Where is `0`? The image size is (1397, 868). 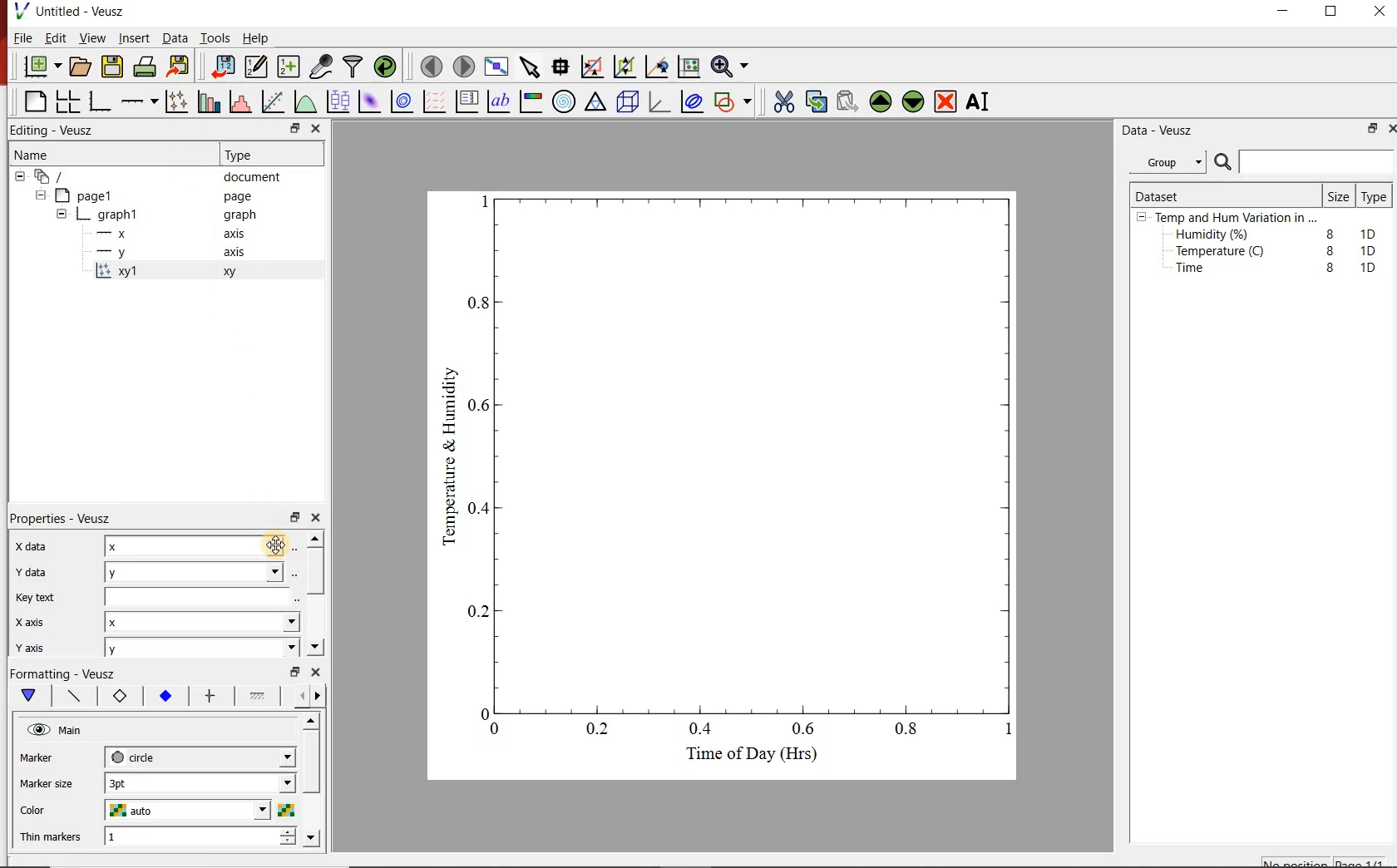 0 is located at coordinates (496, 728).